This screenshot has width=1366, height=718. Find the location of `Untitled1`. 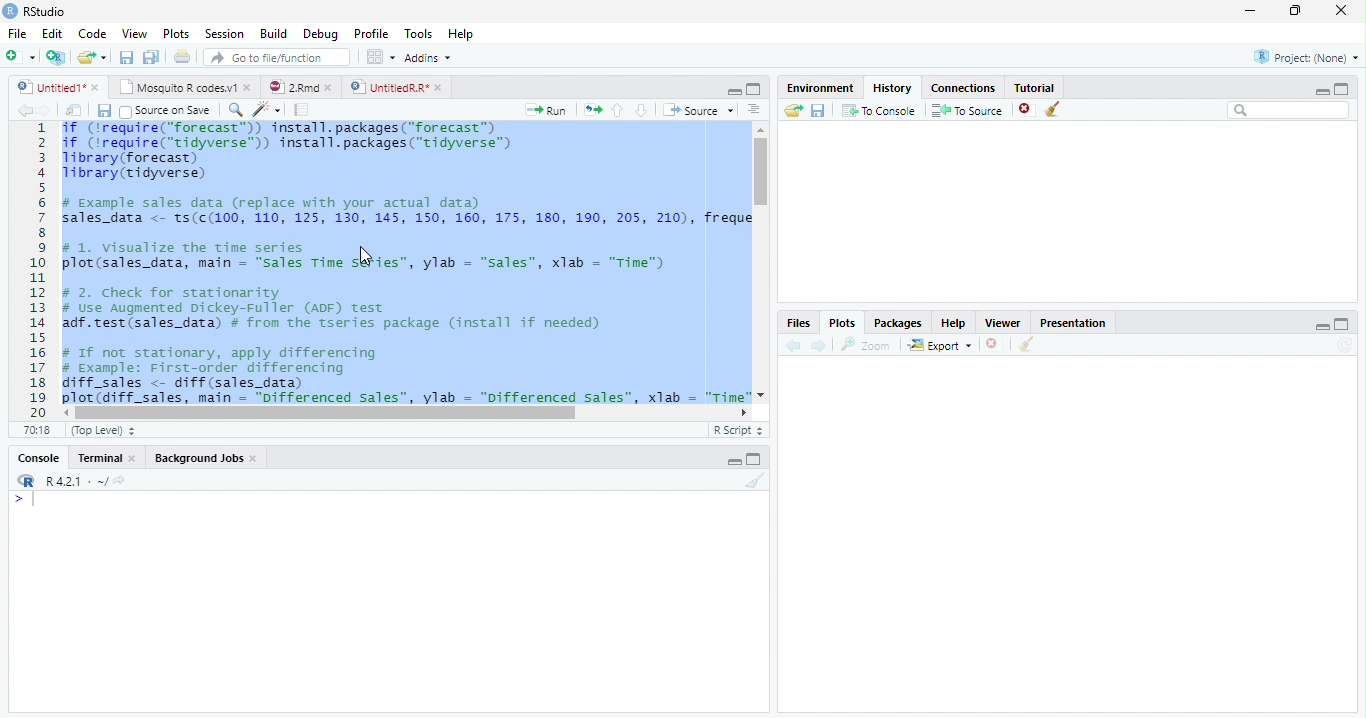

Untitled1 is located at coordinates (58, 87).